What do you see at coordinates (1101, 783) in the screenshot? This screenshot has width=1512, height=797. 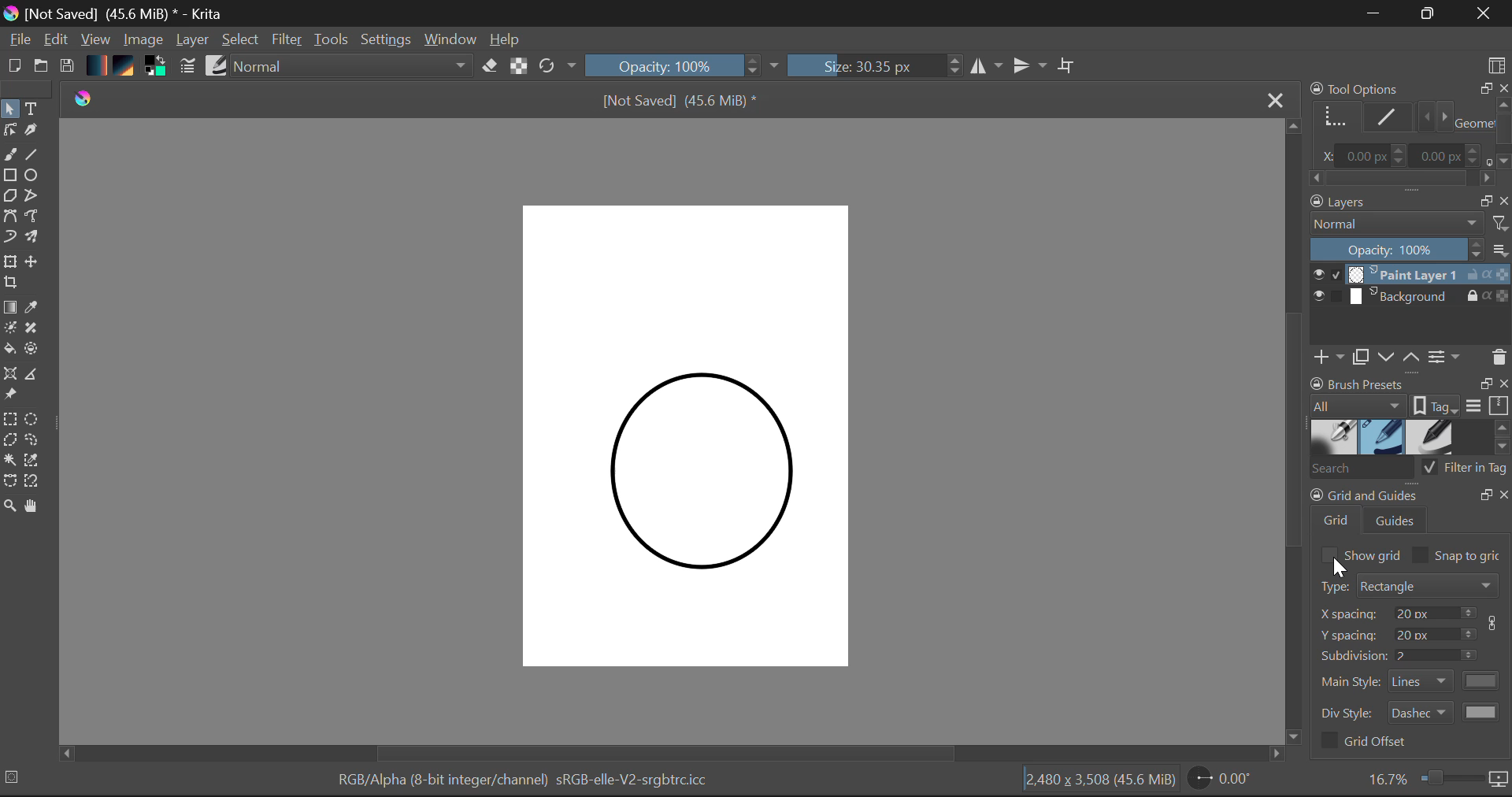 I see `Document Dimensions` at bounding box center [1101, 783].